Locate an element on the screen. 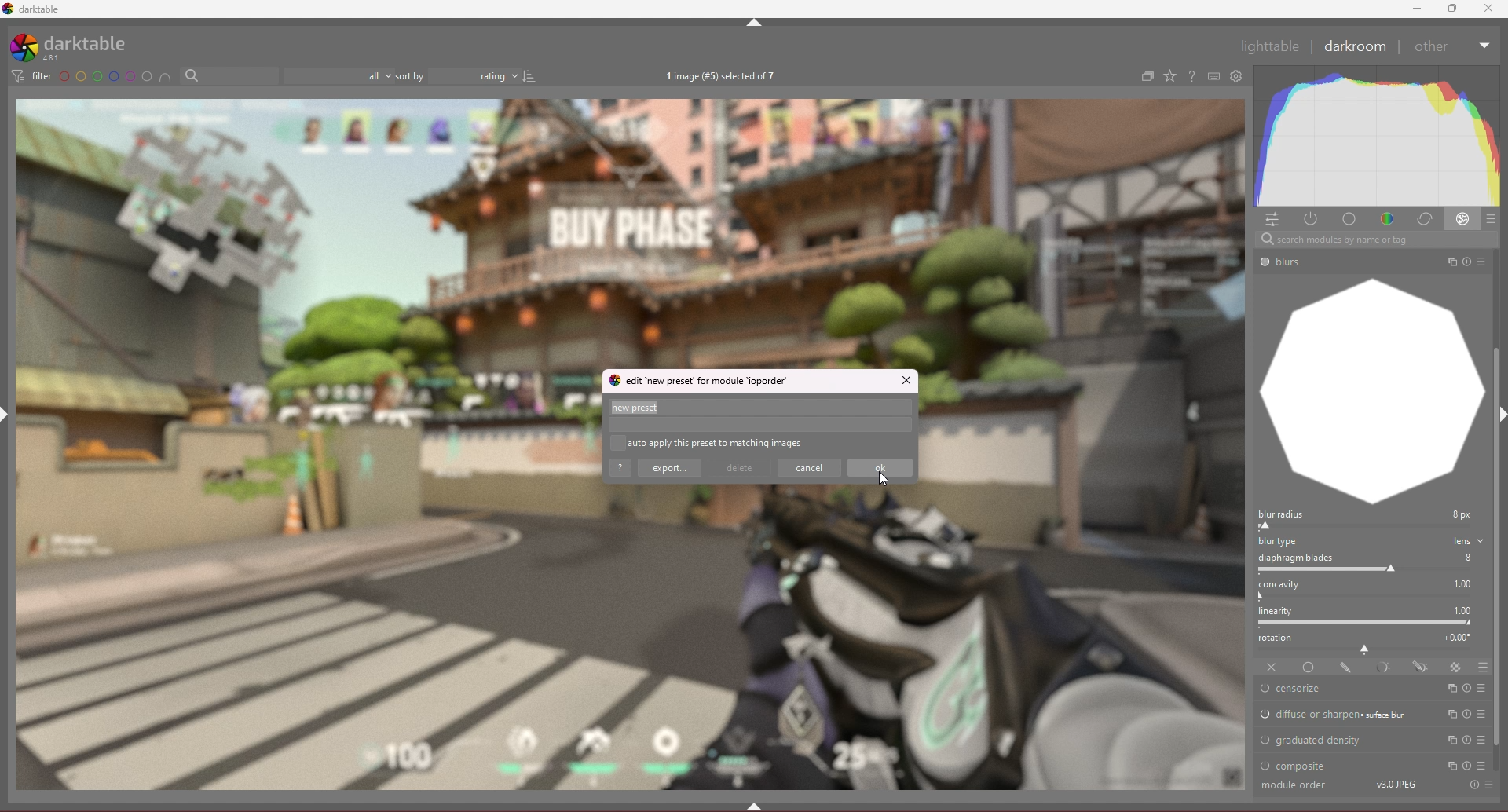 This screenshot has height=812, width=1508. presets is located at coordinates (1481, 714).